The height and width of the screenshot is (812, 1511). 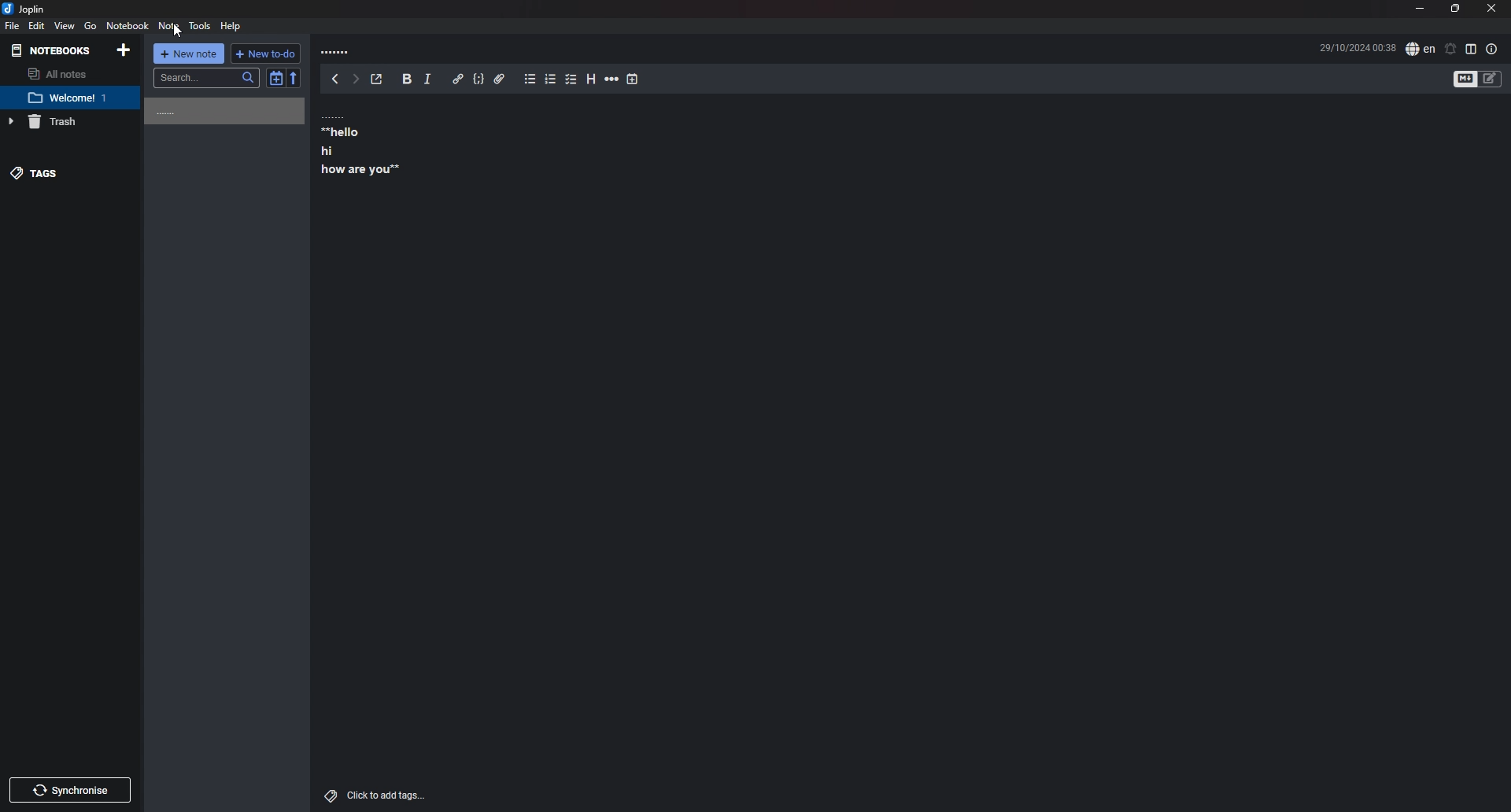 What do you see at coordinates (611, 79) in the screenshot?
I see `Horizontal rule` at bounding box center [611, 79].